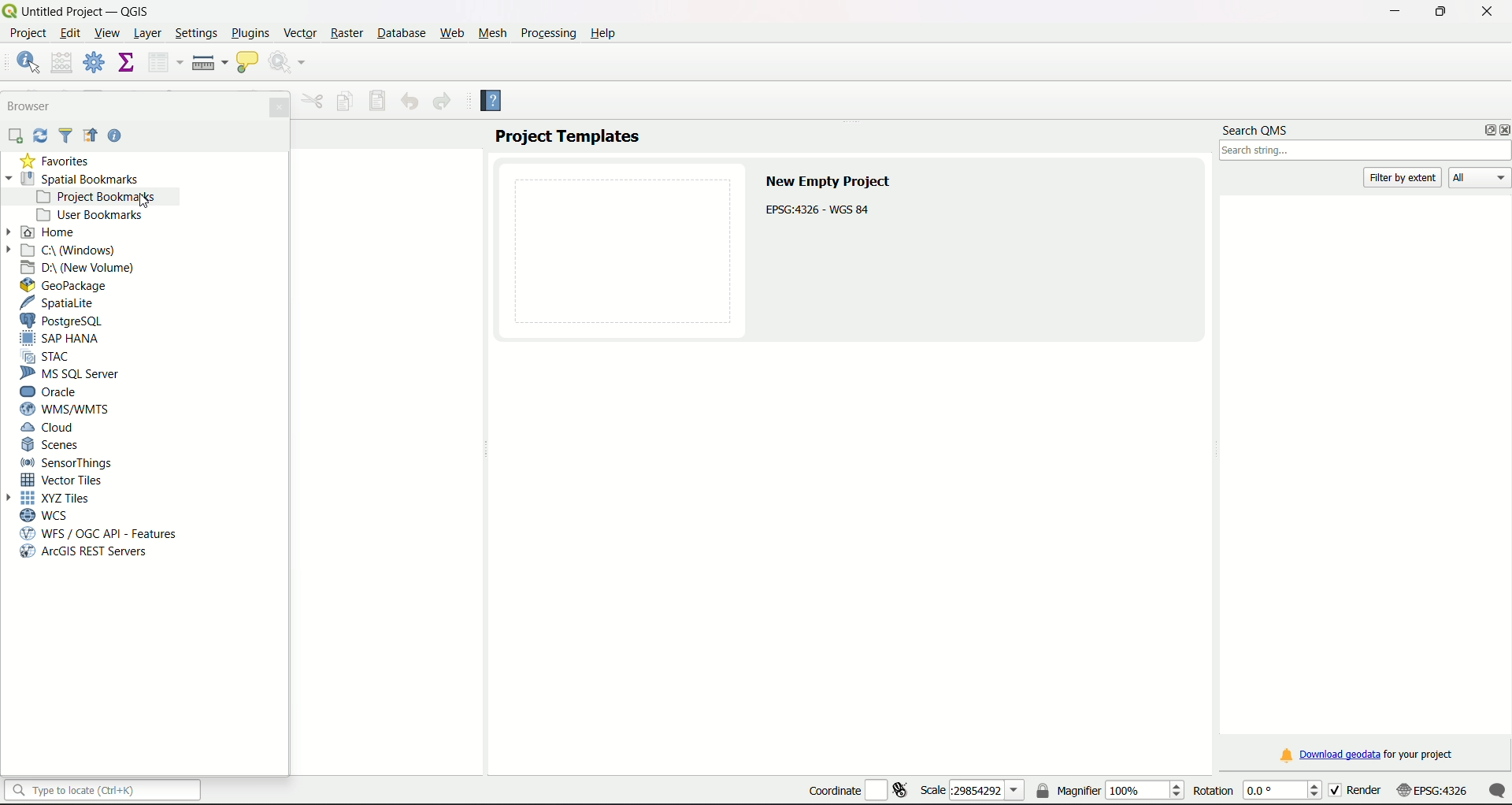 Image resolution: width=1512 pixels, height=805 pixels. I want to click on Sync, so click(41, 135).